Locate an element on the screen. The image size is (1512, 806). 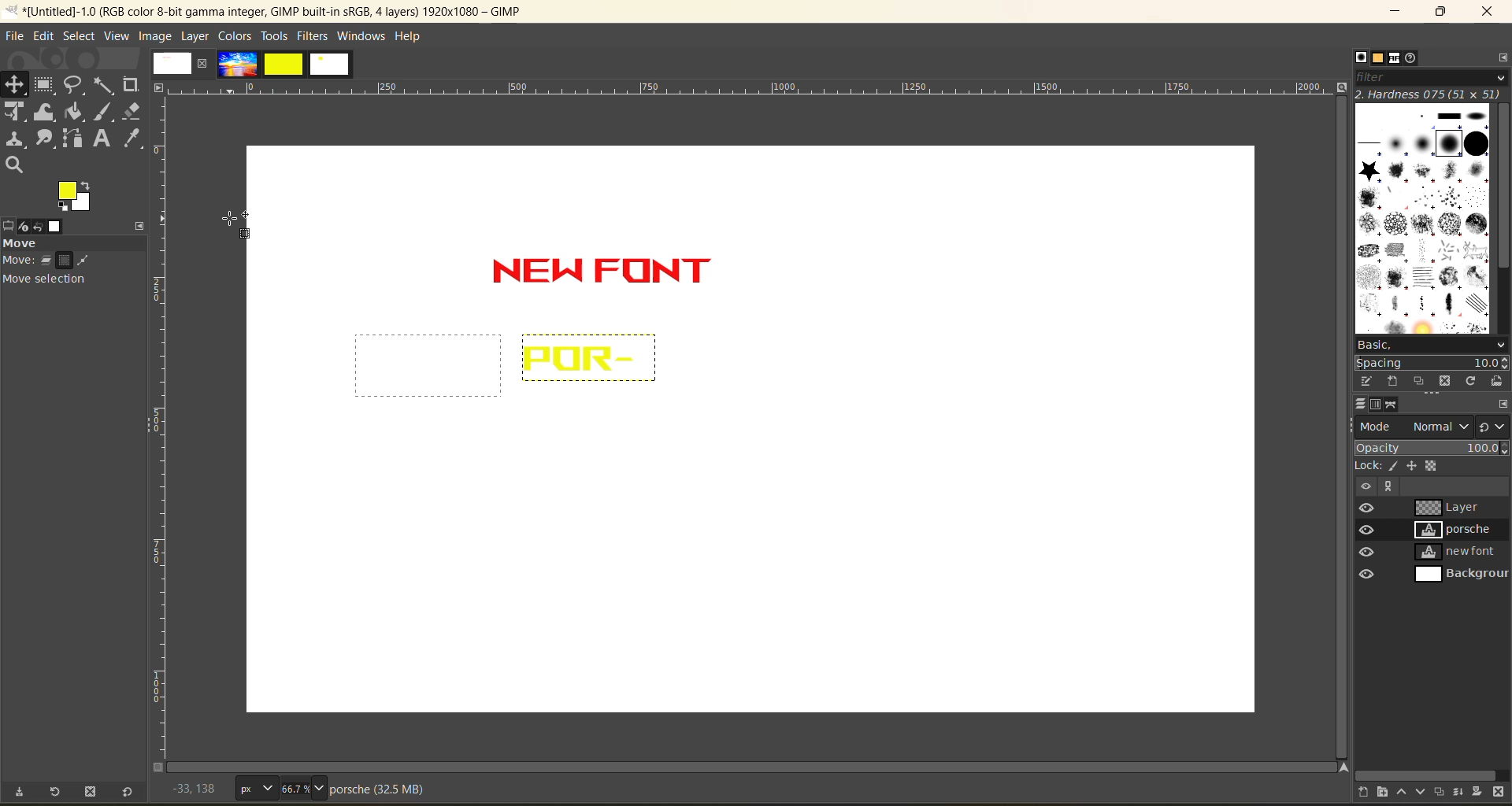
frame is located at coordinates (46, 87).